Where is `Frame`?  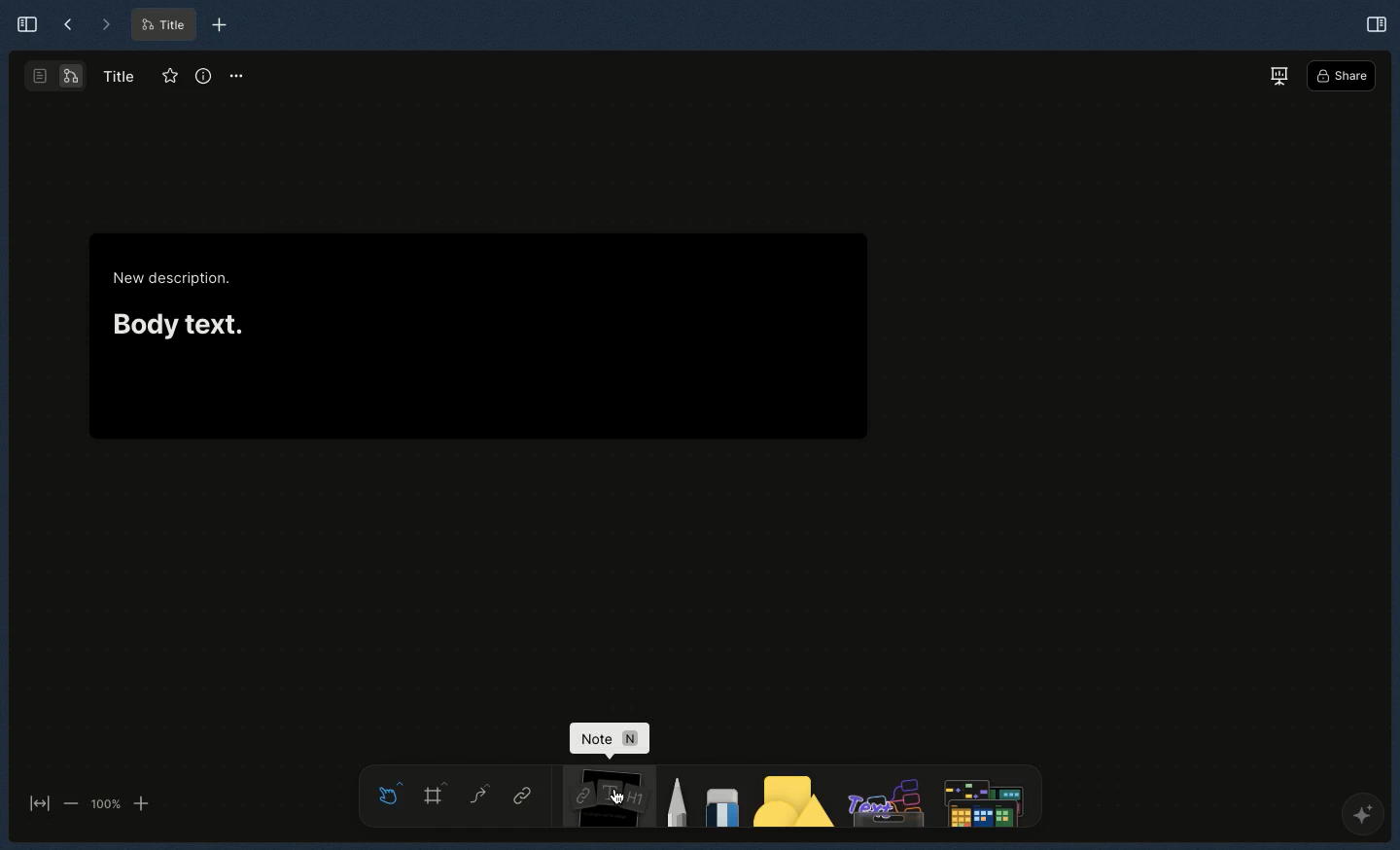
Frame is located at coordinates (437, 793).